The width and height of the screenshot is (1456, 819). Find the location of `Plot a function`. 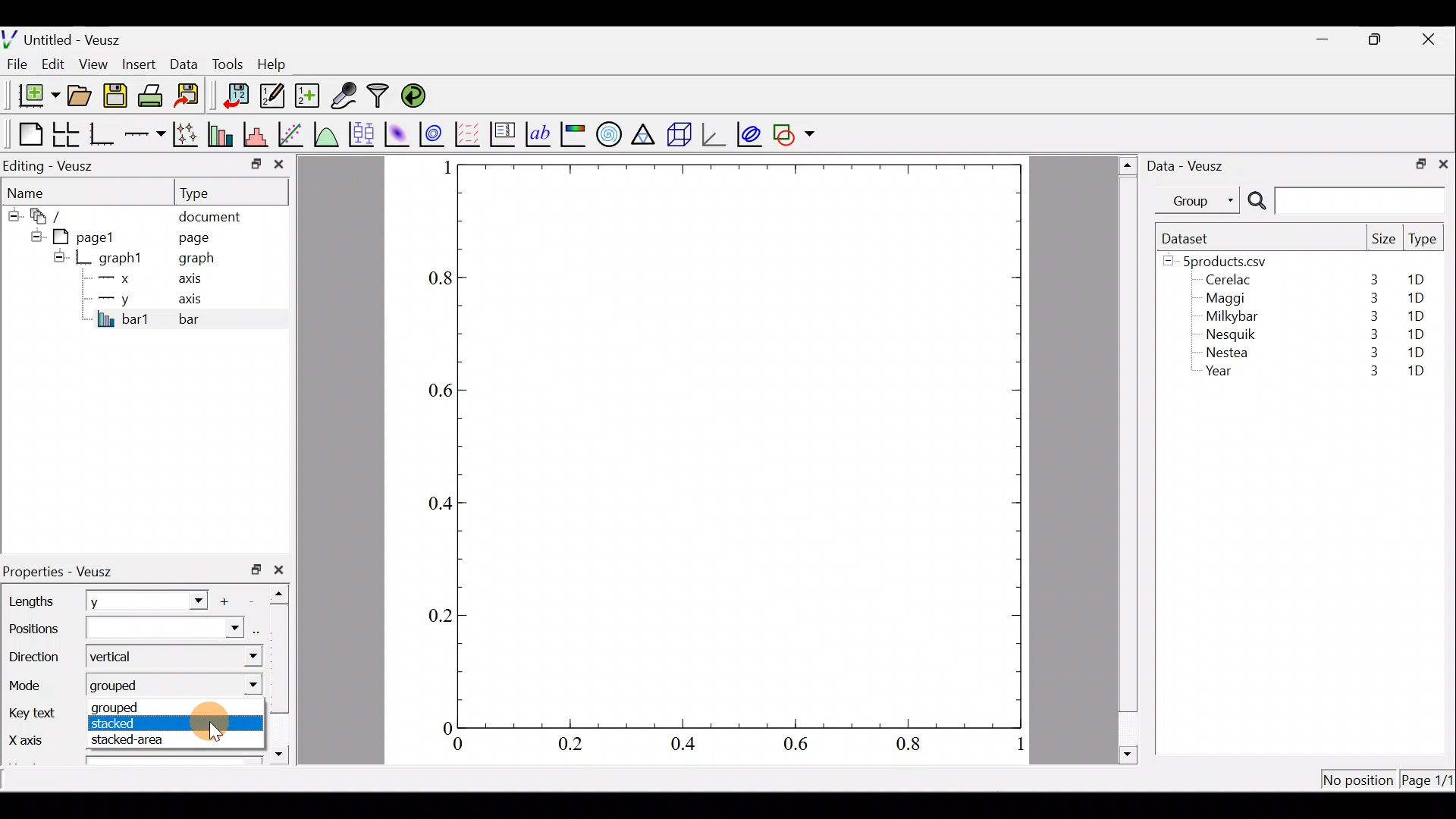

Plot a function is located at coordinates (327, 133).